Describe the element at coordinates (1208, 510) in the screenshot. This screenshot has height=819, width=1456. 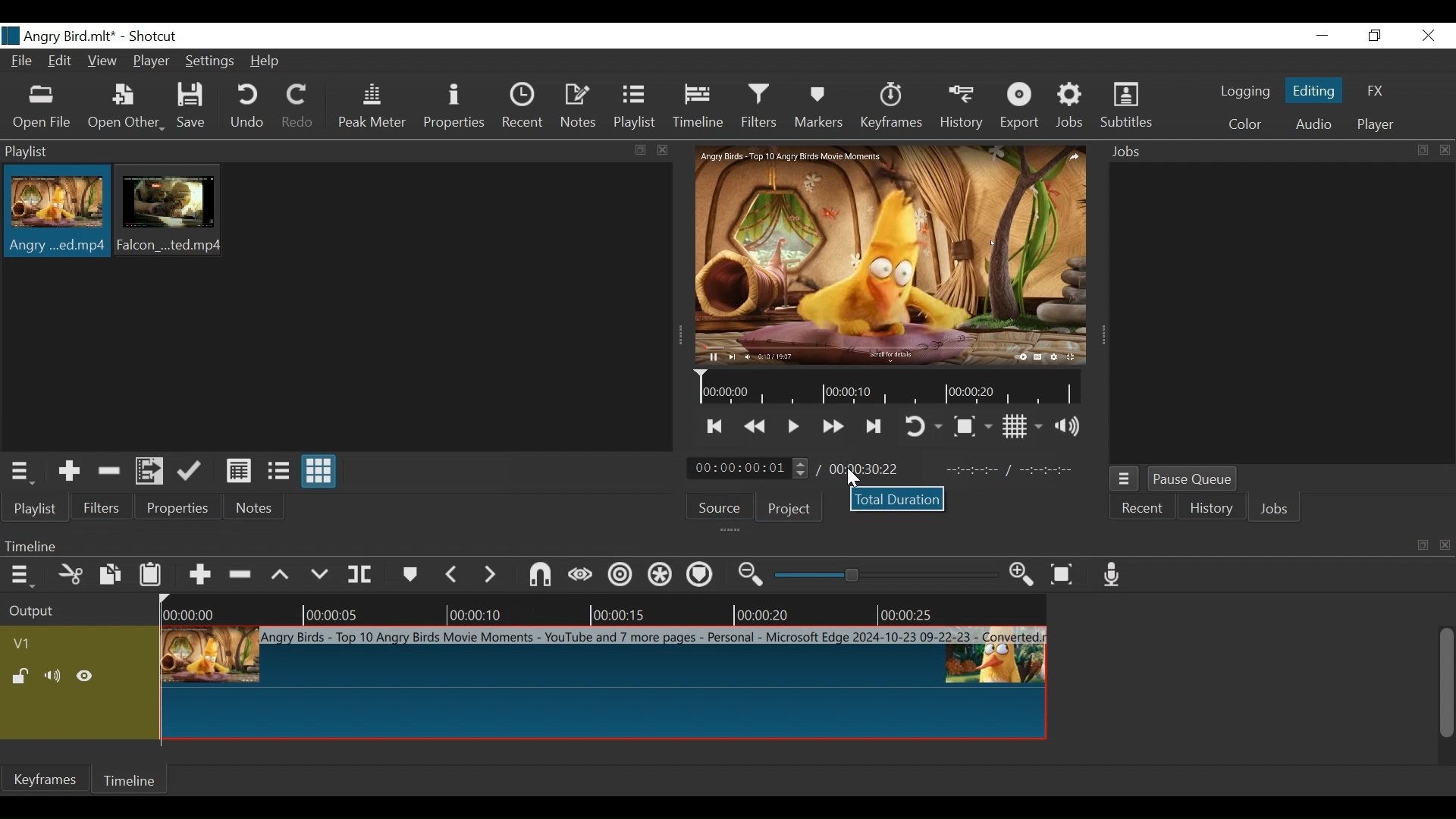
I see `History` at that location.